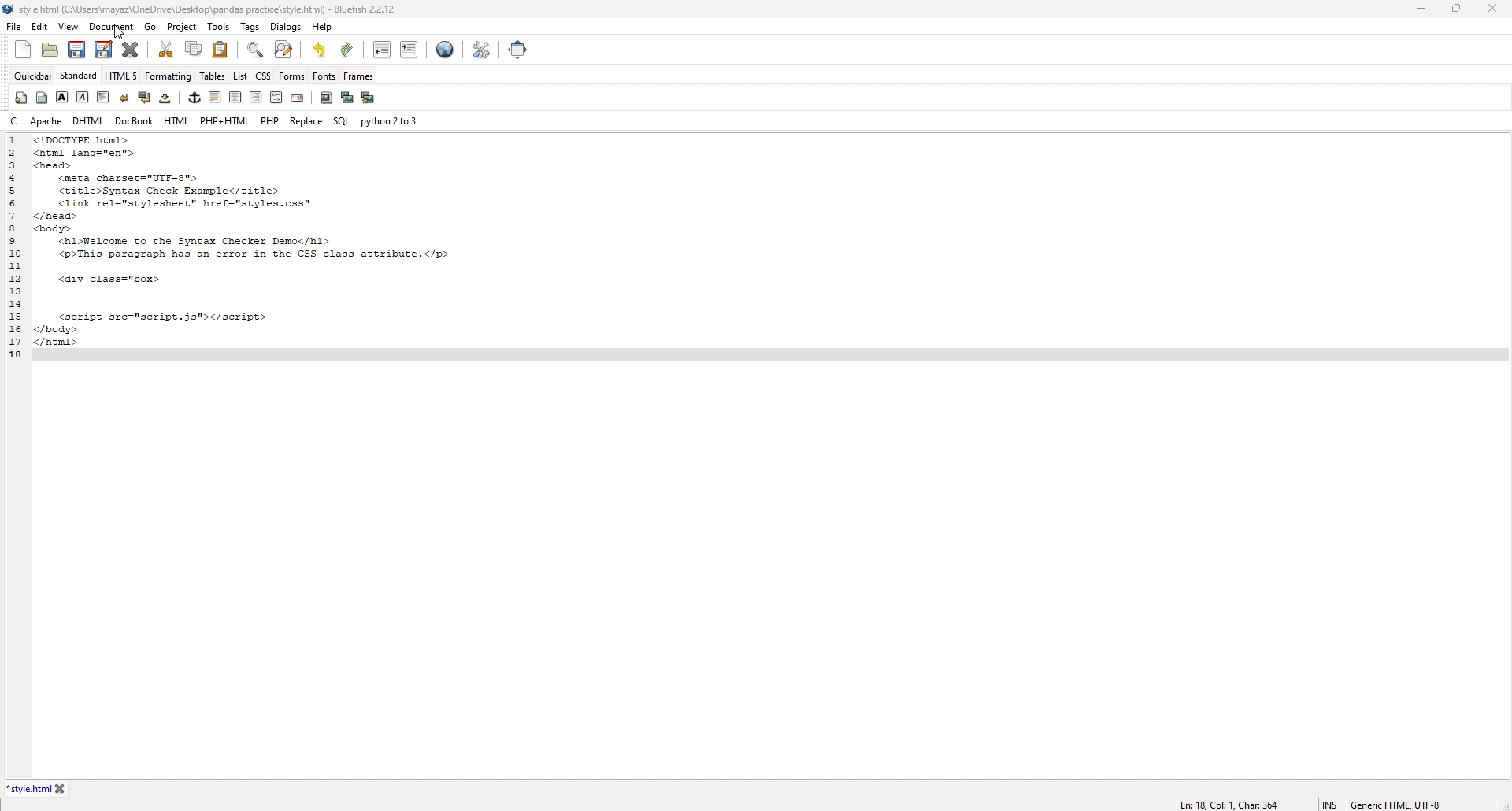 This screenshot has width=1512, height=811. What do you see at coordinates (180, 27) in the screenshot?
I see `project` at bounding box center [180, 27].